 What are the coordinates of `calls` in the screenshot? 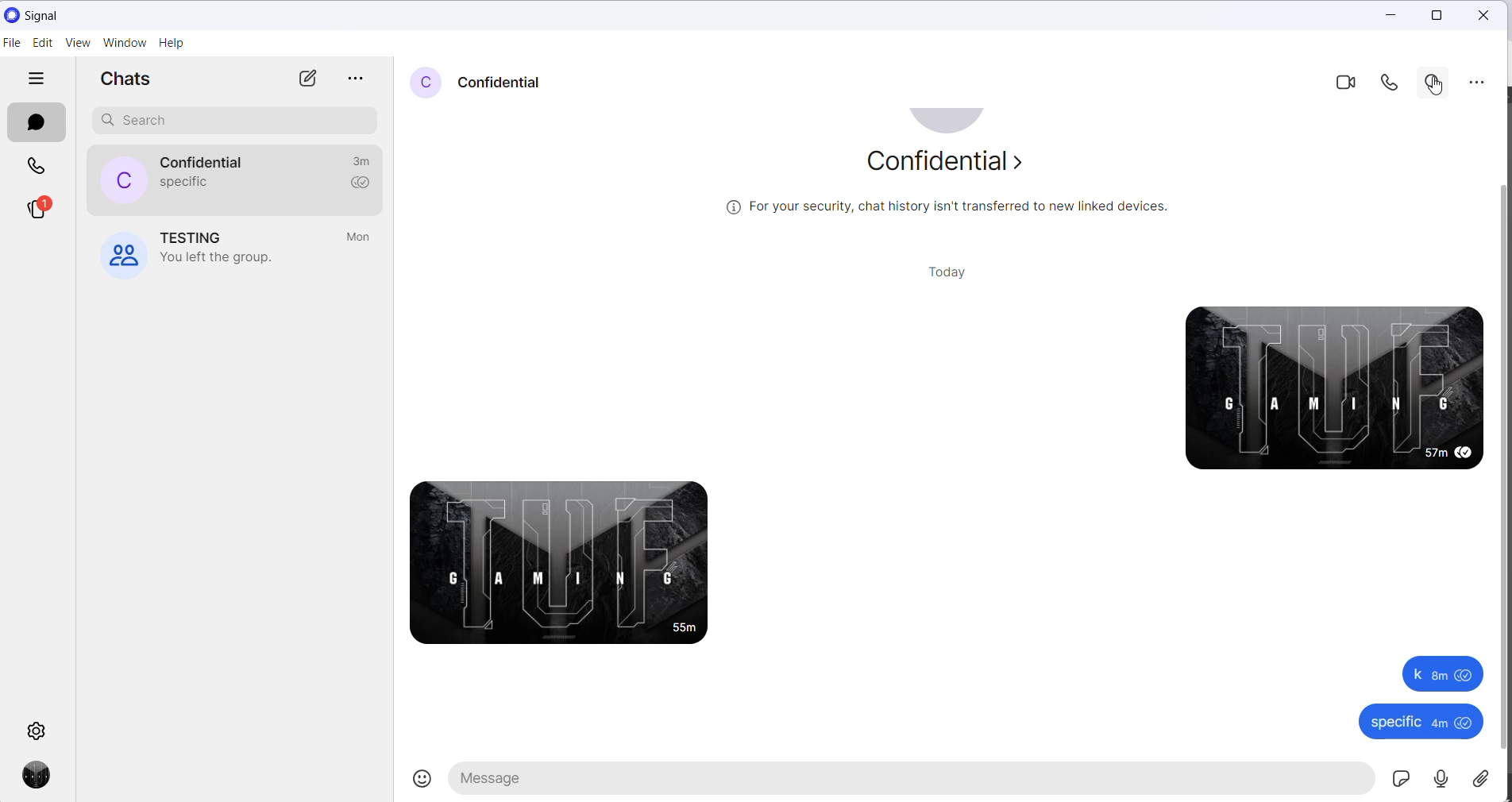 It's located at (39, 166).